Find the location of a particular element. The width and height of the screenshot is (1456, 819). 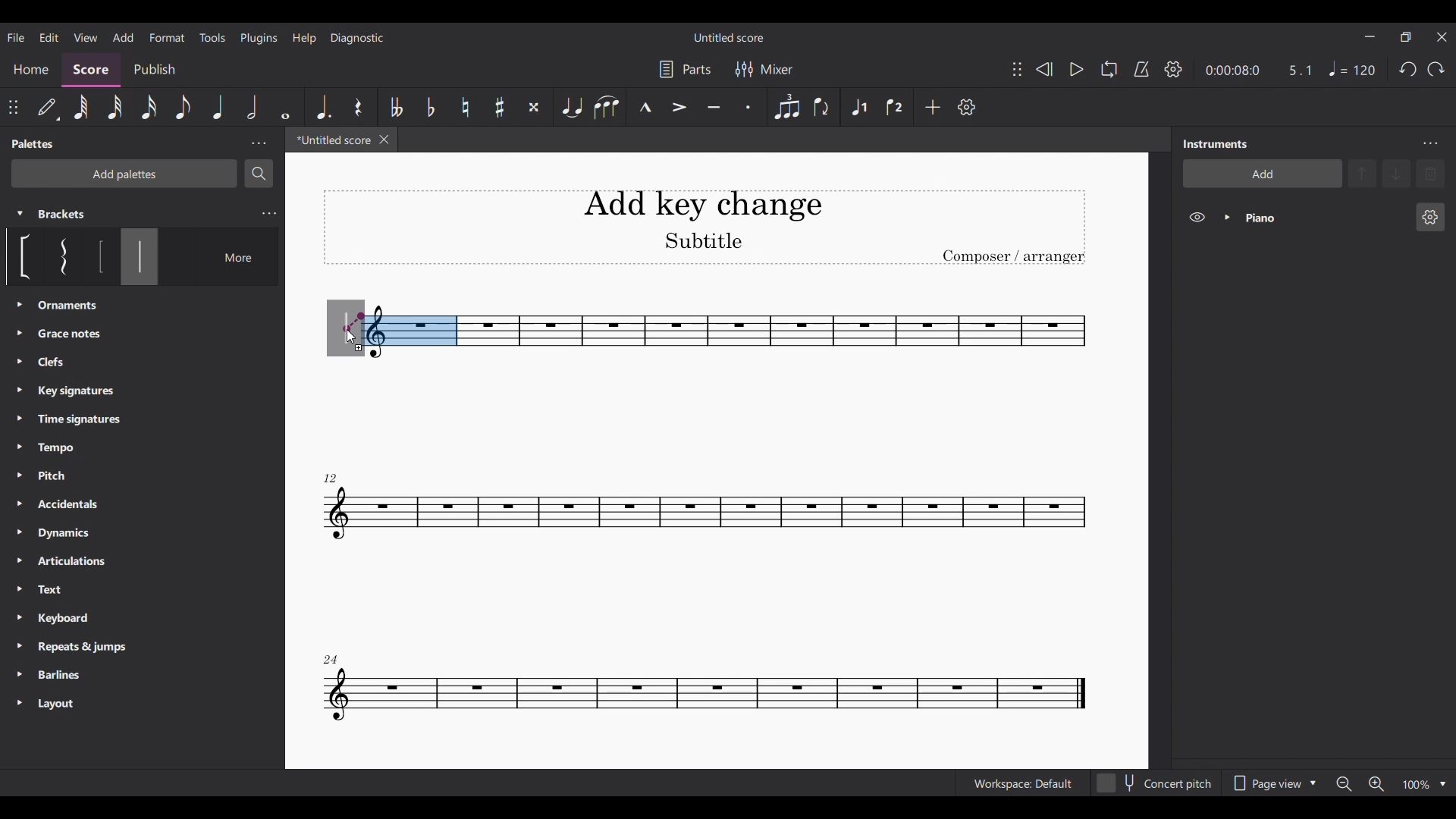

Marcato is located at coordinates (645, 108).